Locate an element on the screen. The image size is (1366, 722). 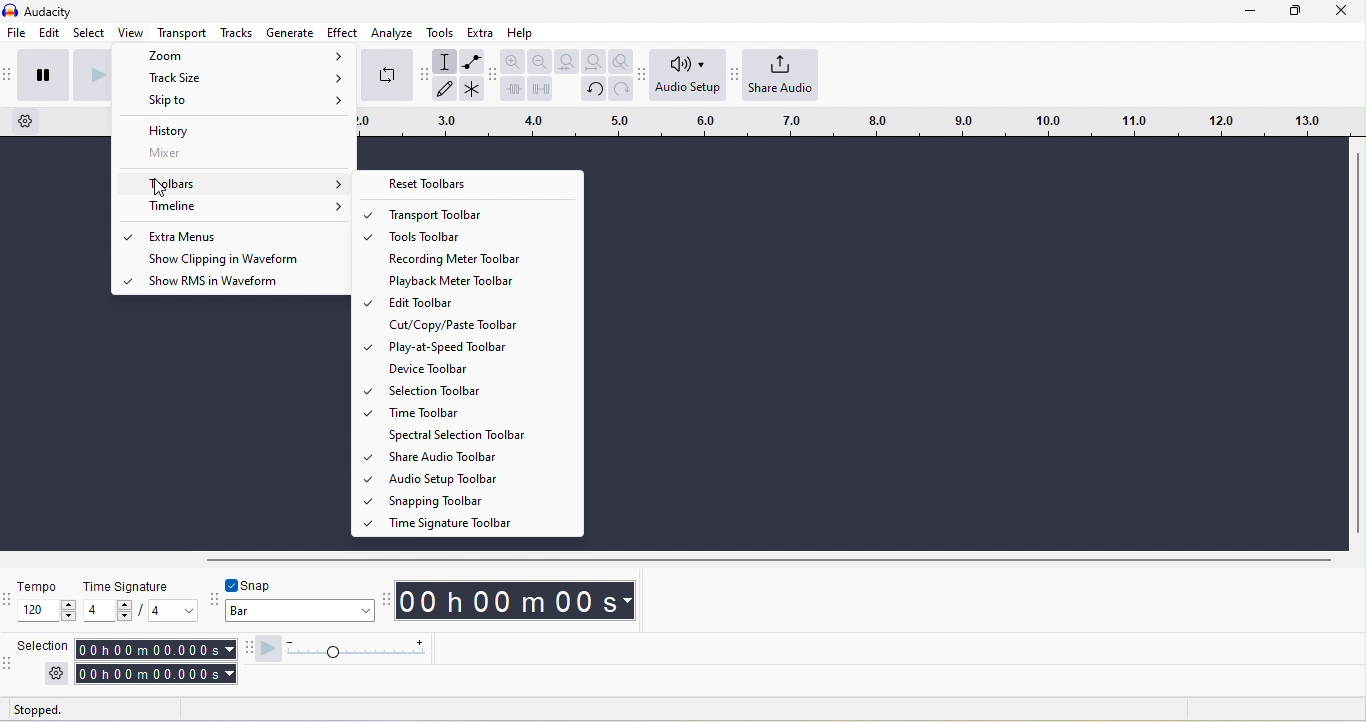
Selection toolbar is located at coordinates (481, 390).